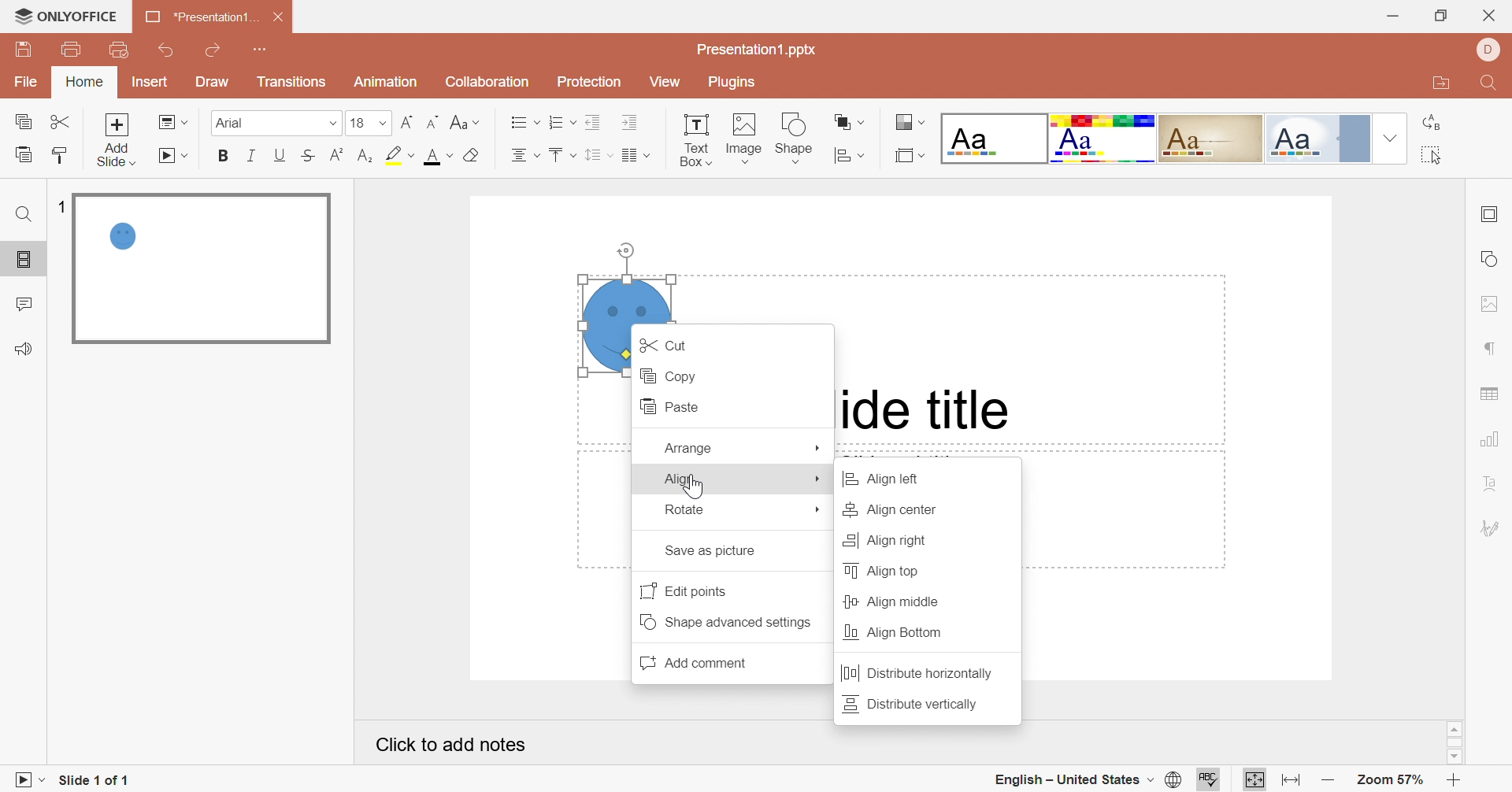 The height and width of the screenshot is (792, 1512). Describe the element at coordinates (887, 570) in the screenshot. I see `Align top` at that location.